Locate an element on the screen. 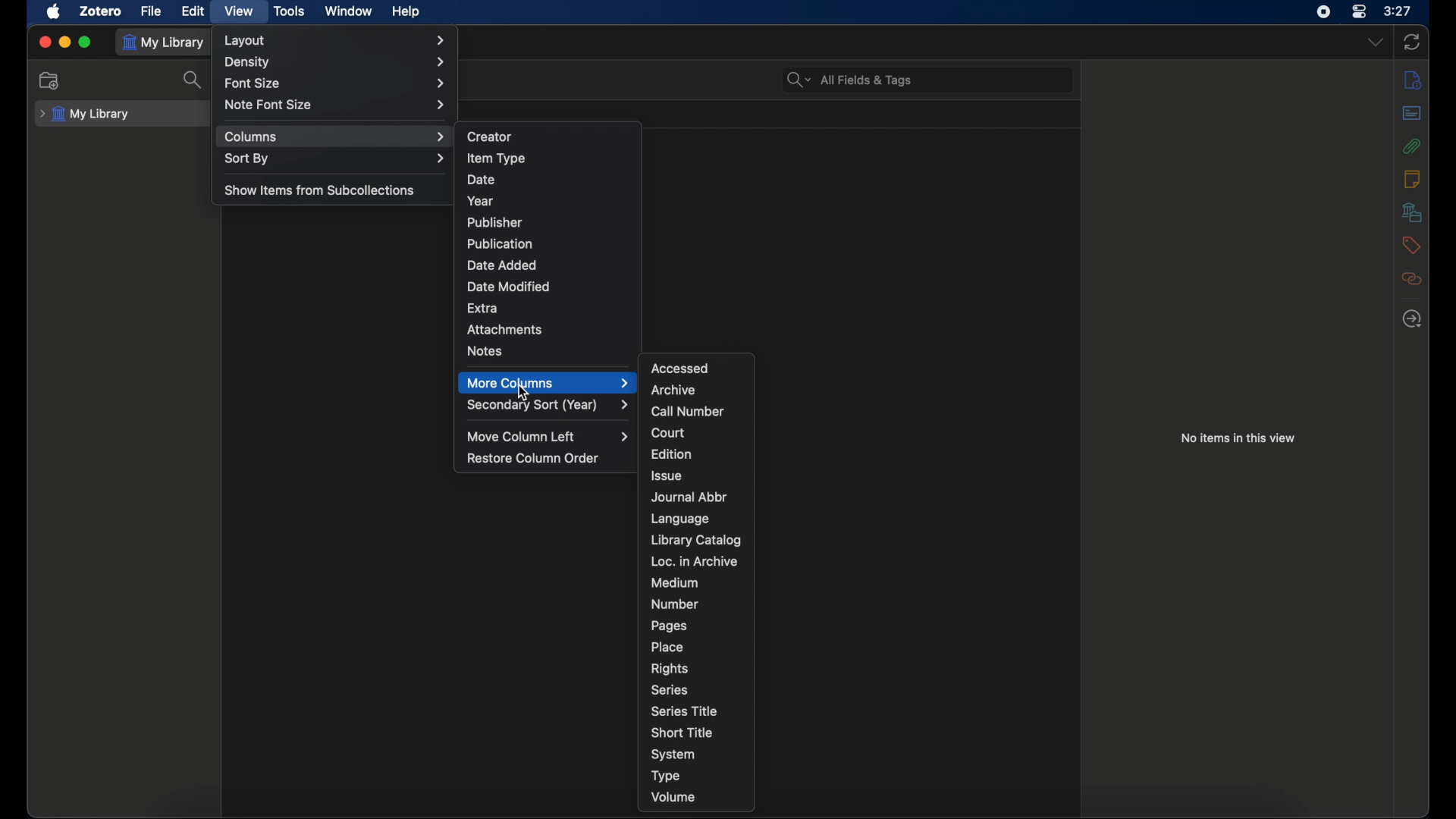  langauge is located at coordinates (679, 519).